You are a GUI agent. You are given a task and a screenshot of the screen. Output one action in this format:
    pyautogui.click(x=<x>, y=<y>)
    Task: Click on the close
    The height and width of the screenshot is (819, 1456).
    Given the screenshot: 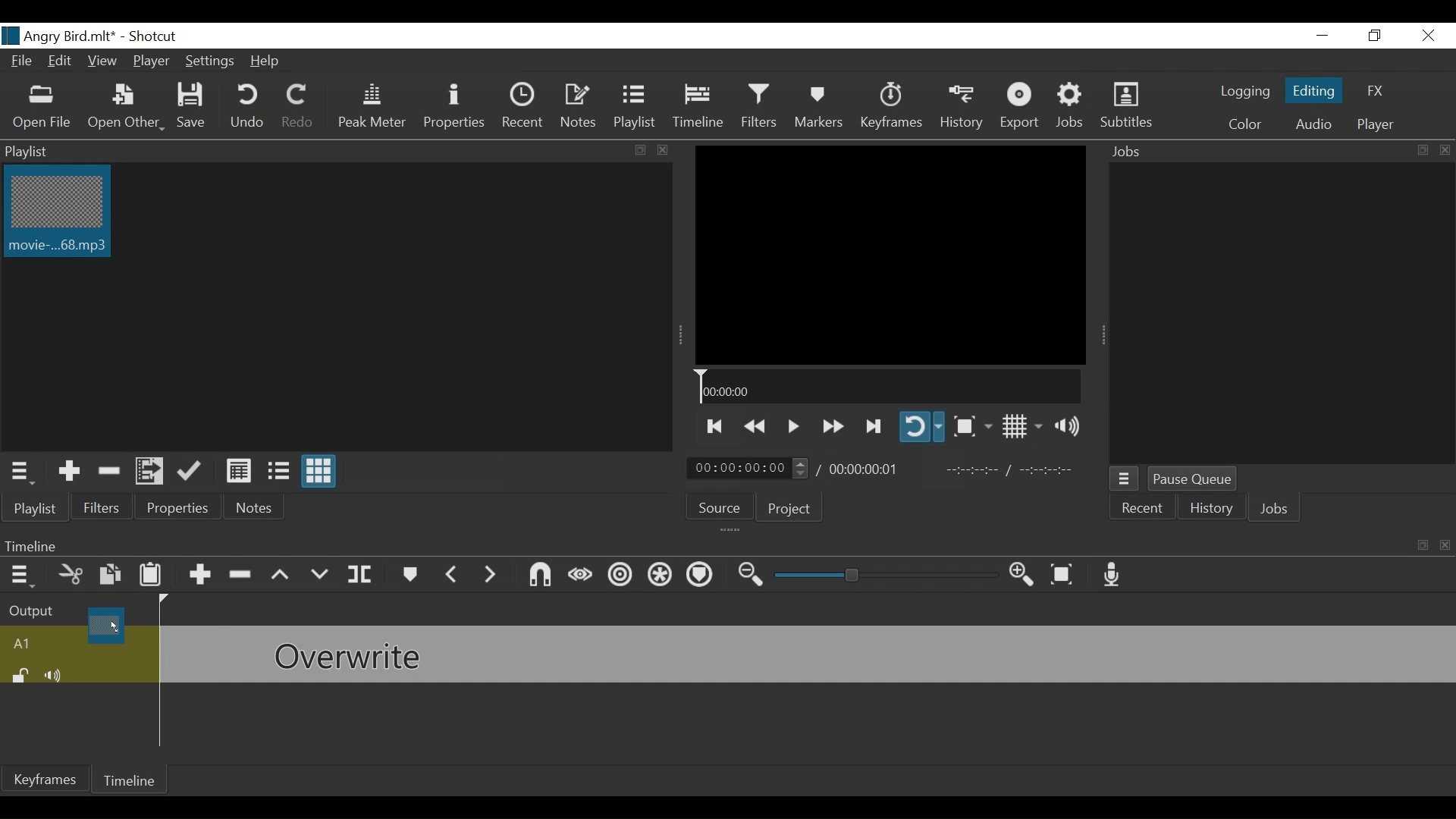 What is the action you would take?
    pyautogui.click(x=1442, y=149)
    